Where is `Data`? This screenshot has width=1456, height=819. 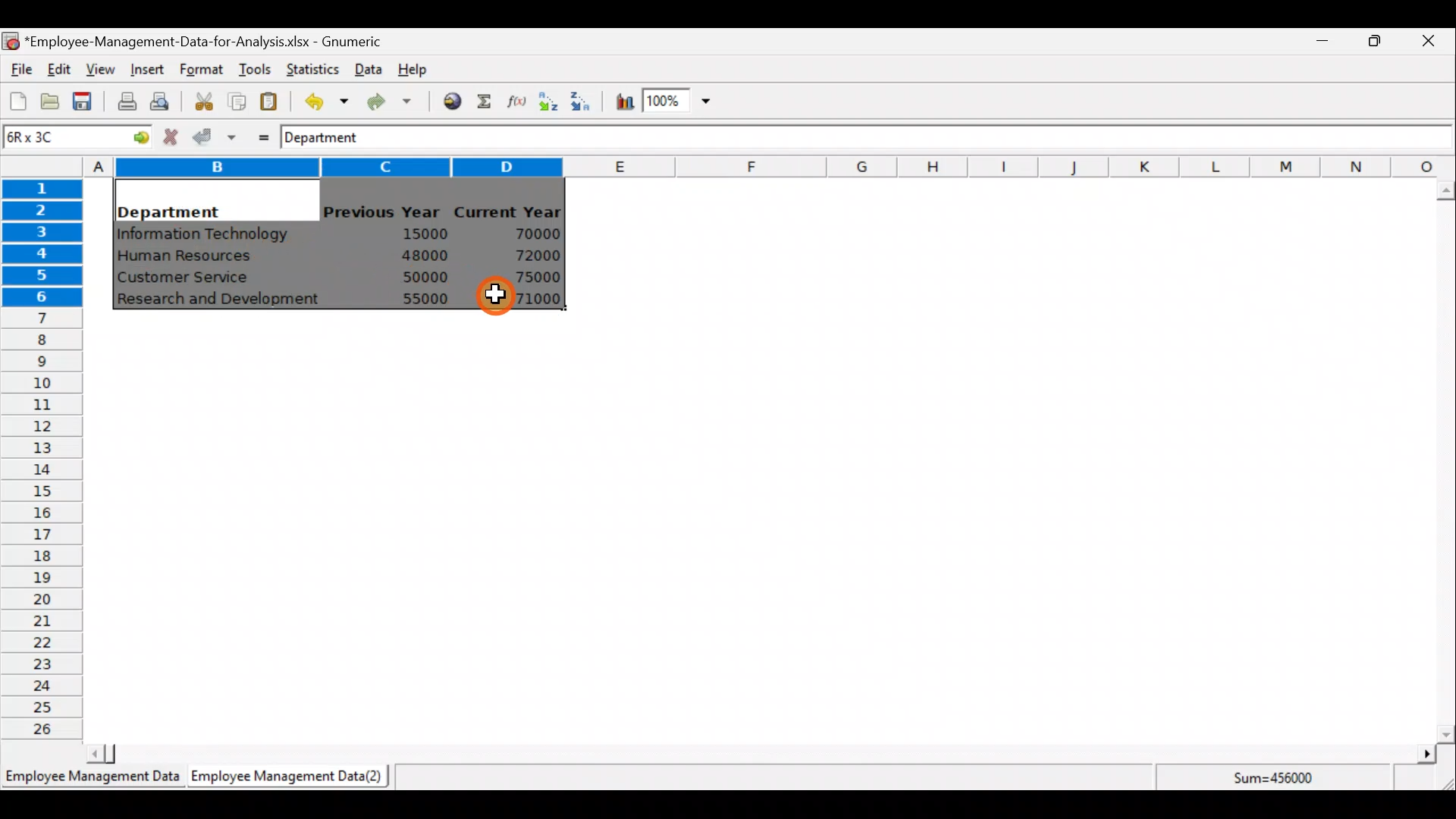
Data is located at coordinates (369, 69).